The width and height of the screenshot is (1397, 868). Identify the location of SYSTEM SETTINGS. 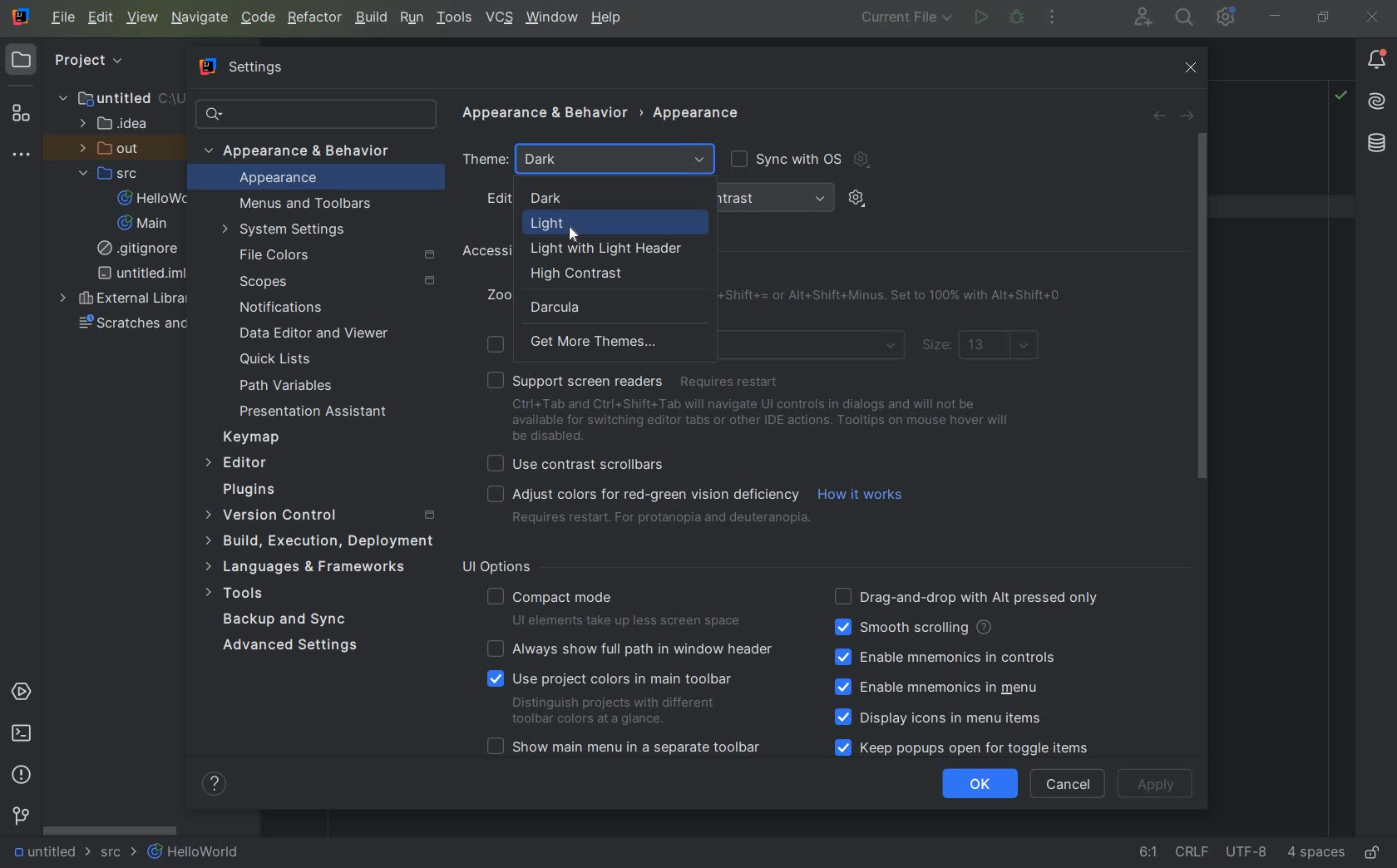
(287, 230).